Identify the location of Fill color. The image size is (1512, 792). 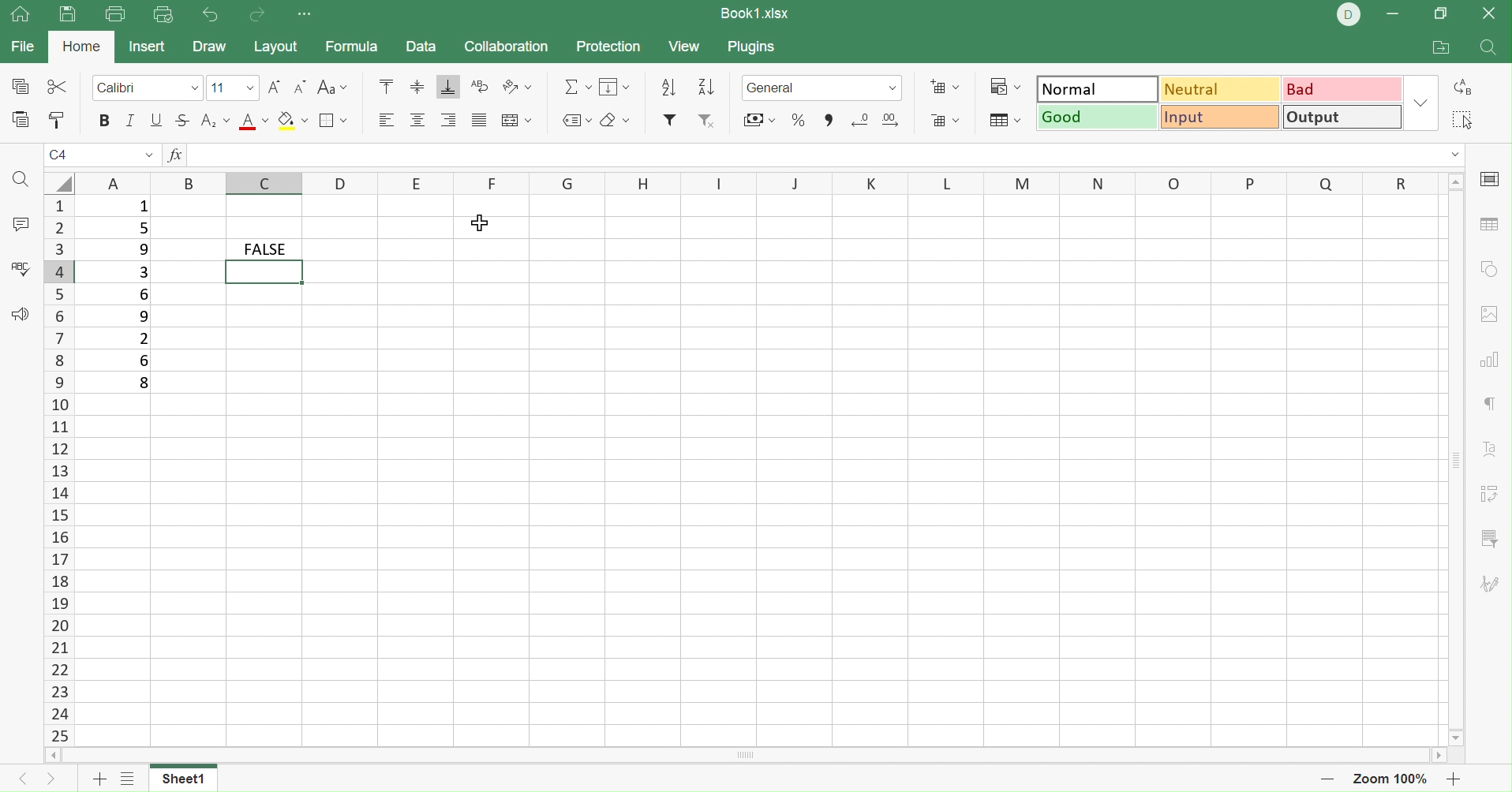
(291, 119).